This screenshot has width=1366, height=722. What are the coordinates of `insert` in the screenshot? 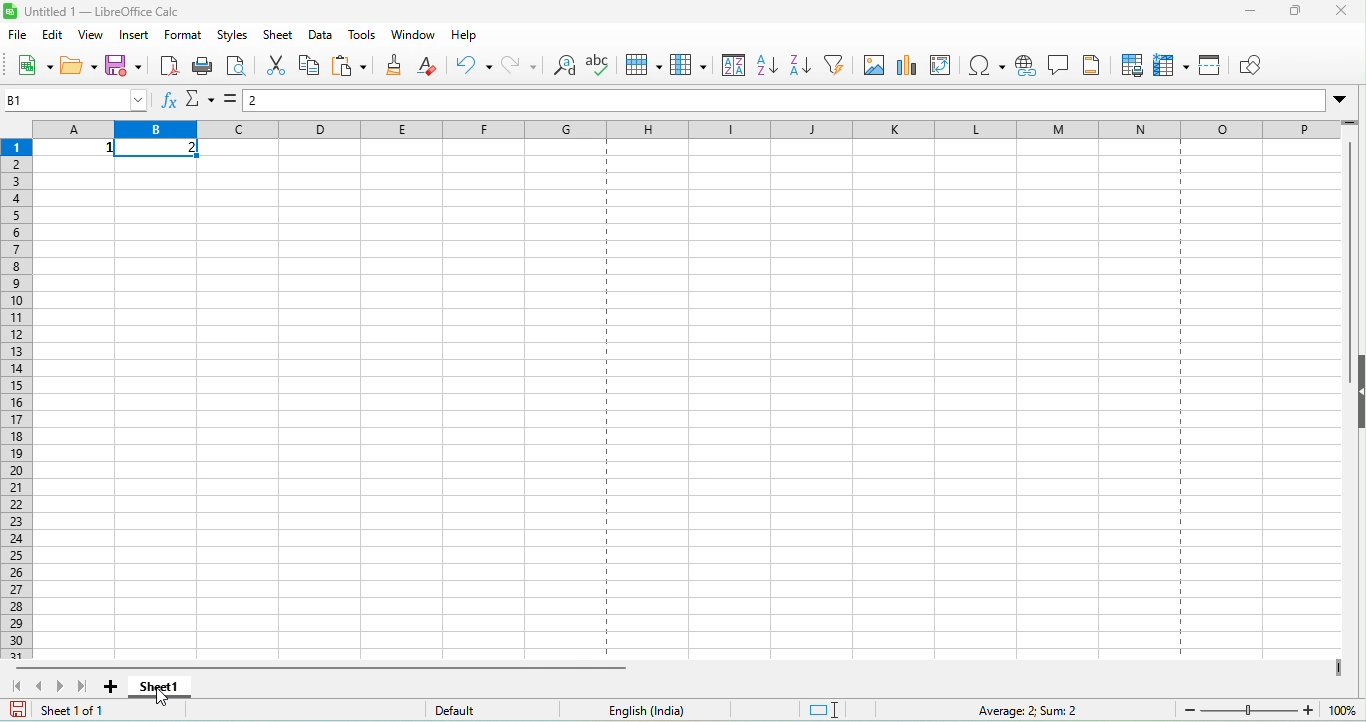 It's located at (136, 34).